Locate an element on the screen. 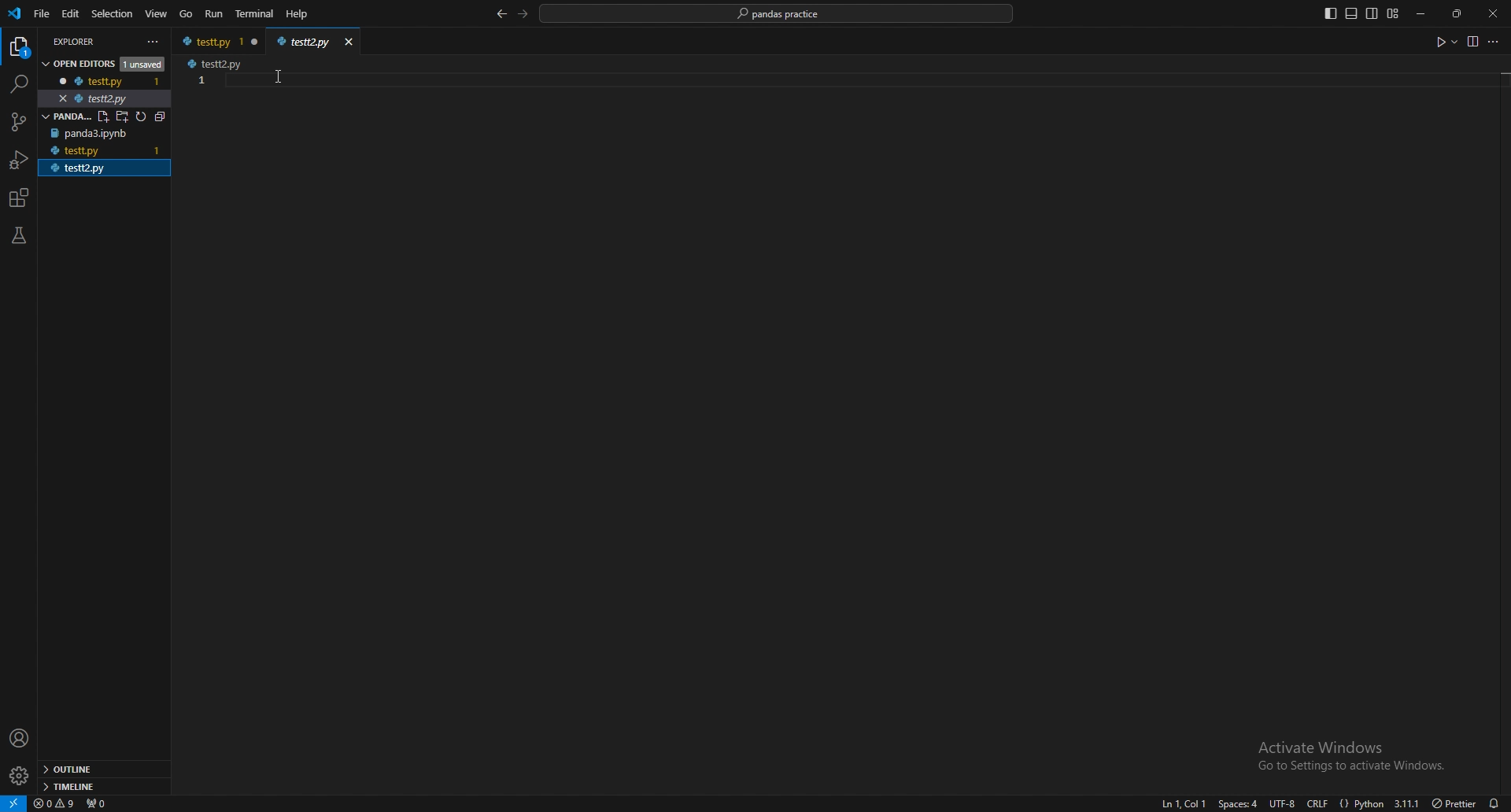 The height and width of the screenshot is (812, 1511). selection is located at coordinates (113, 13).